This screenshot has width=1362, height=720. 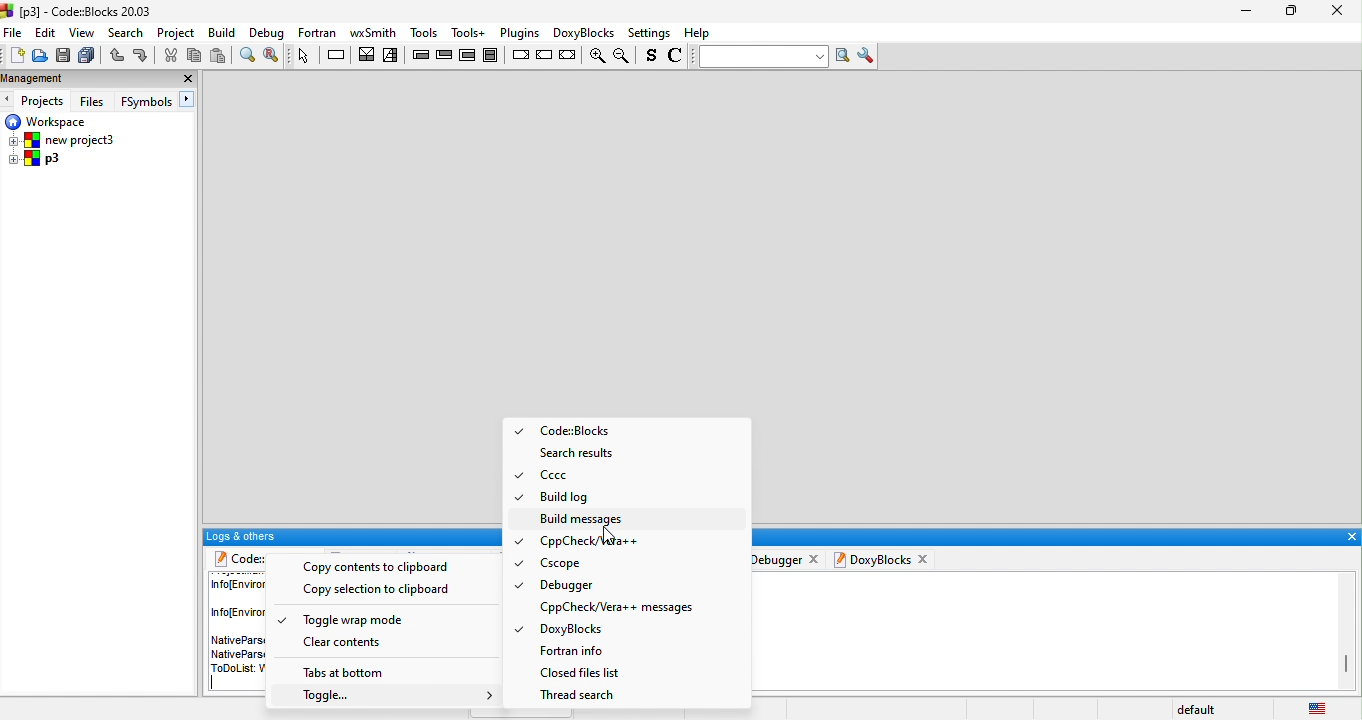 I want to click on close, so click(x=1336, y=10).